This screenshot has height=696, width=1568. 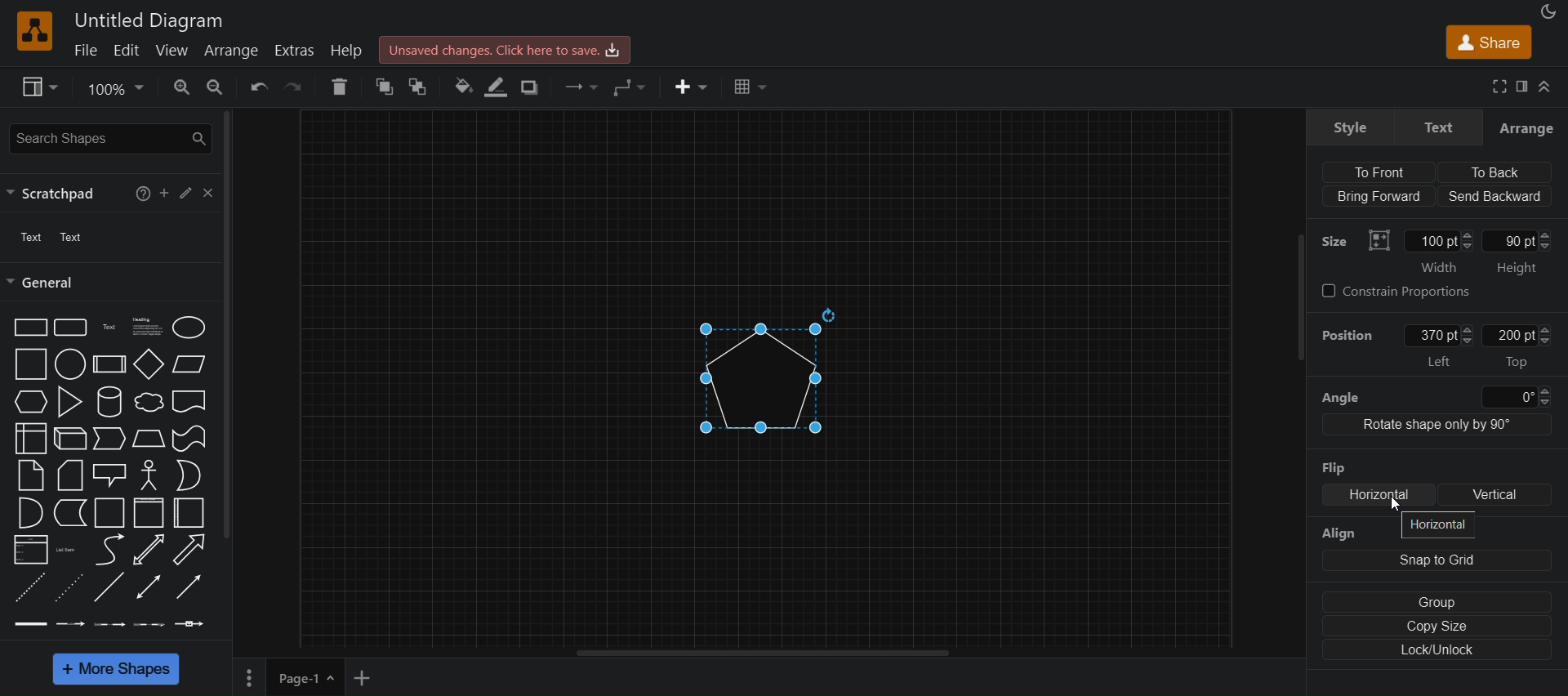 I want to click on Dotted line, so click(x=69, y=588).